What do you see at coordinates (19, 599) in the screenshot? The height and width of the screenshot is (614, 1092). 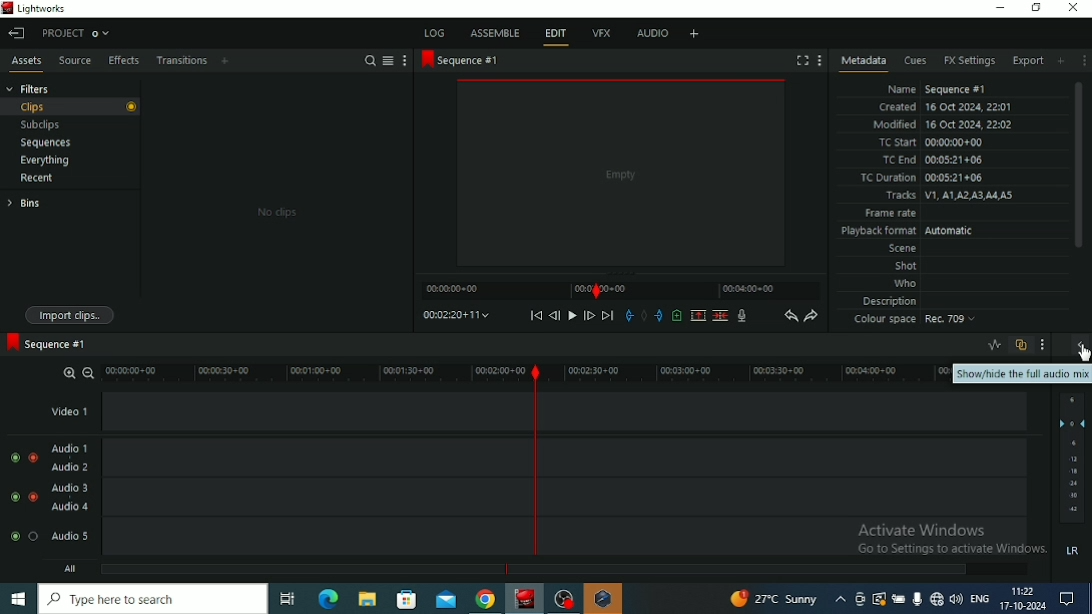 I see `Windows` at bounding box center [19, 599].